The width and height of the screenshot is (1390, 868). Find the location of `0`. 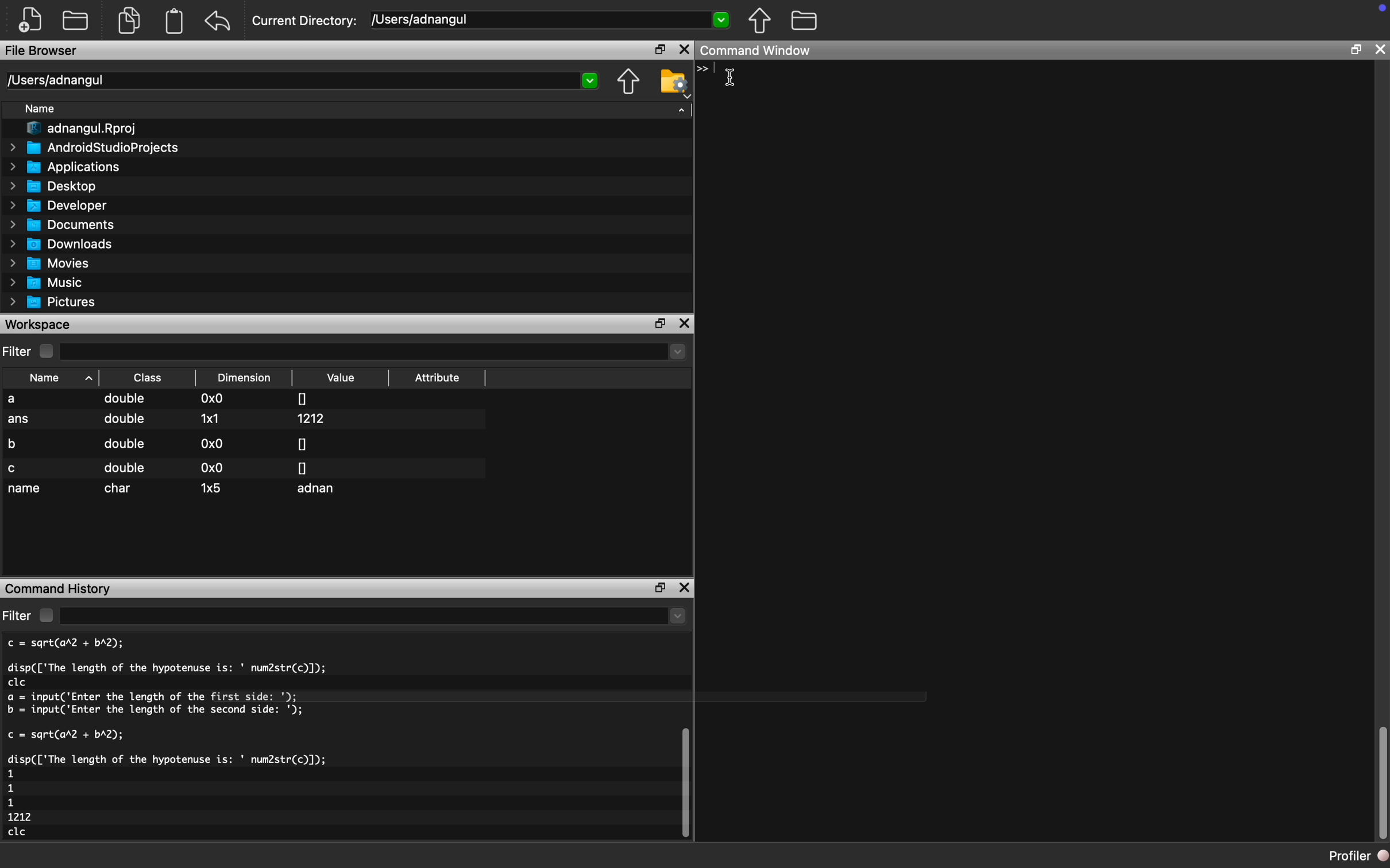

0 is located at coordinates (303, 467).